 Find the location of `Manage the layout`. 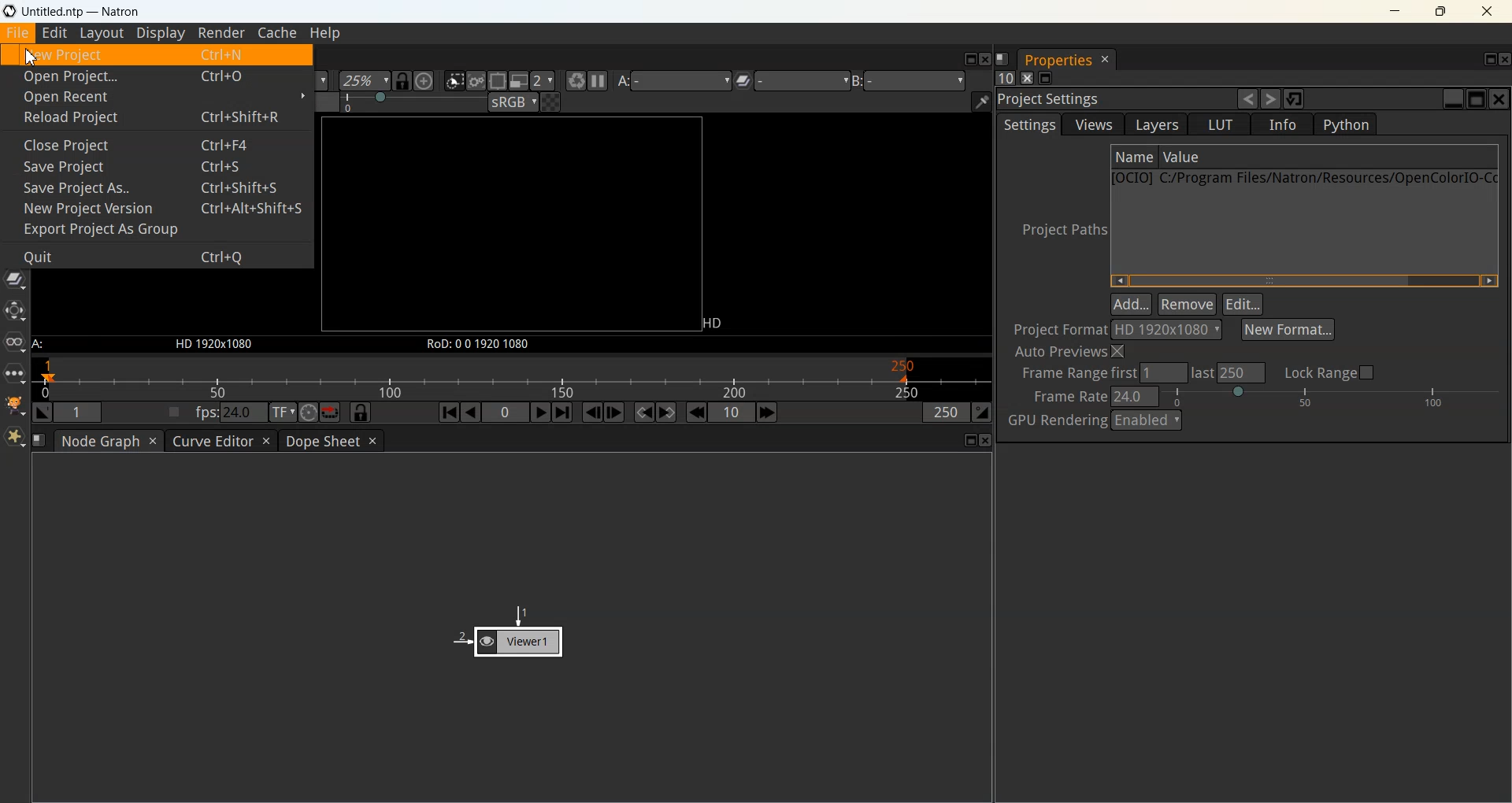

Manage the layout is located at coordinates (39, 440).